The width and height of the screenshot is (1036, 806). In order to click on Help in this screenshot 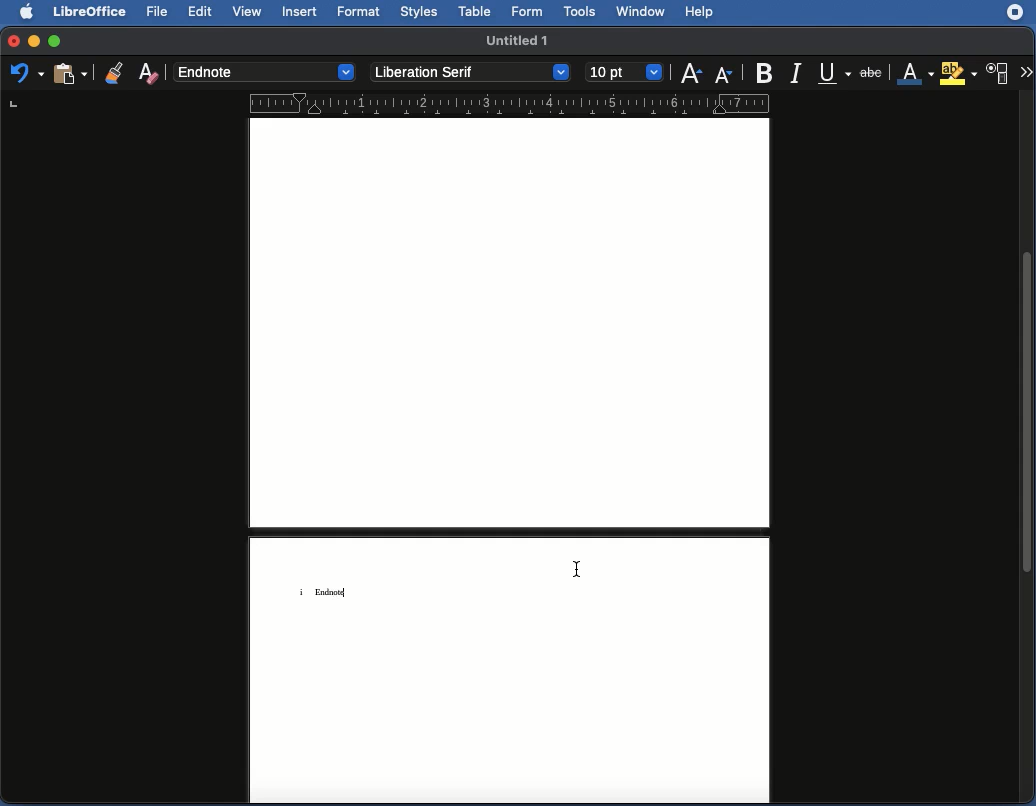, I will do `click(700, 11)`.